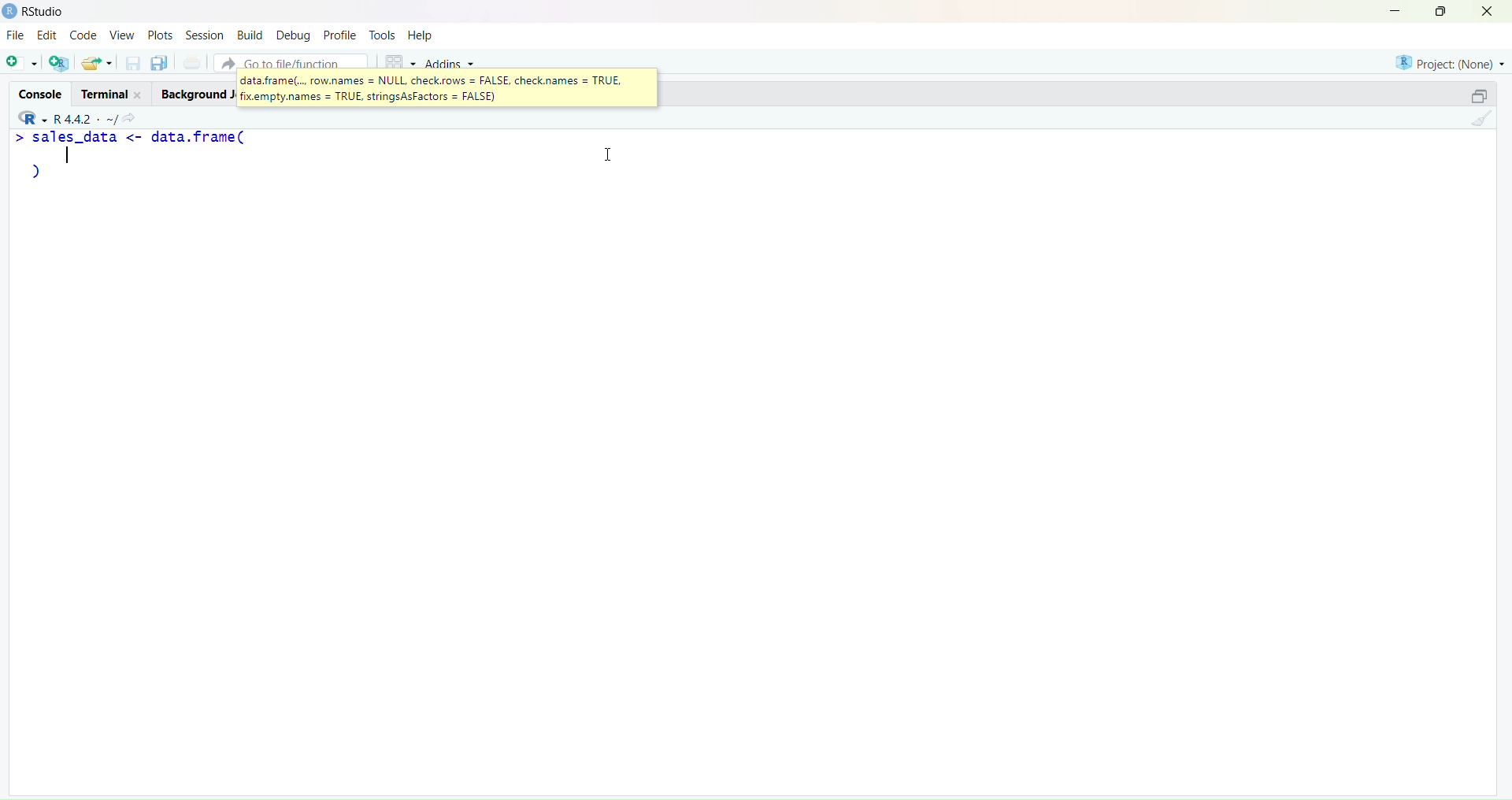 The image size is (1512, 800). I want to click on print, so click(192, 65).